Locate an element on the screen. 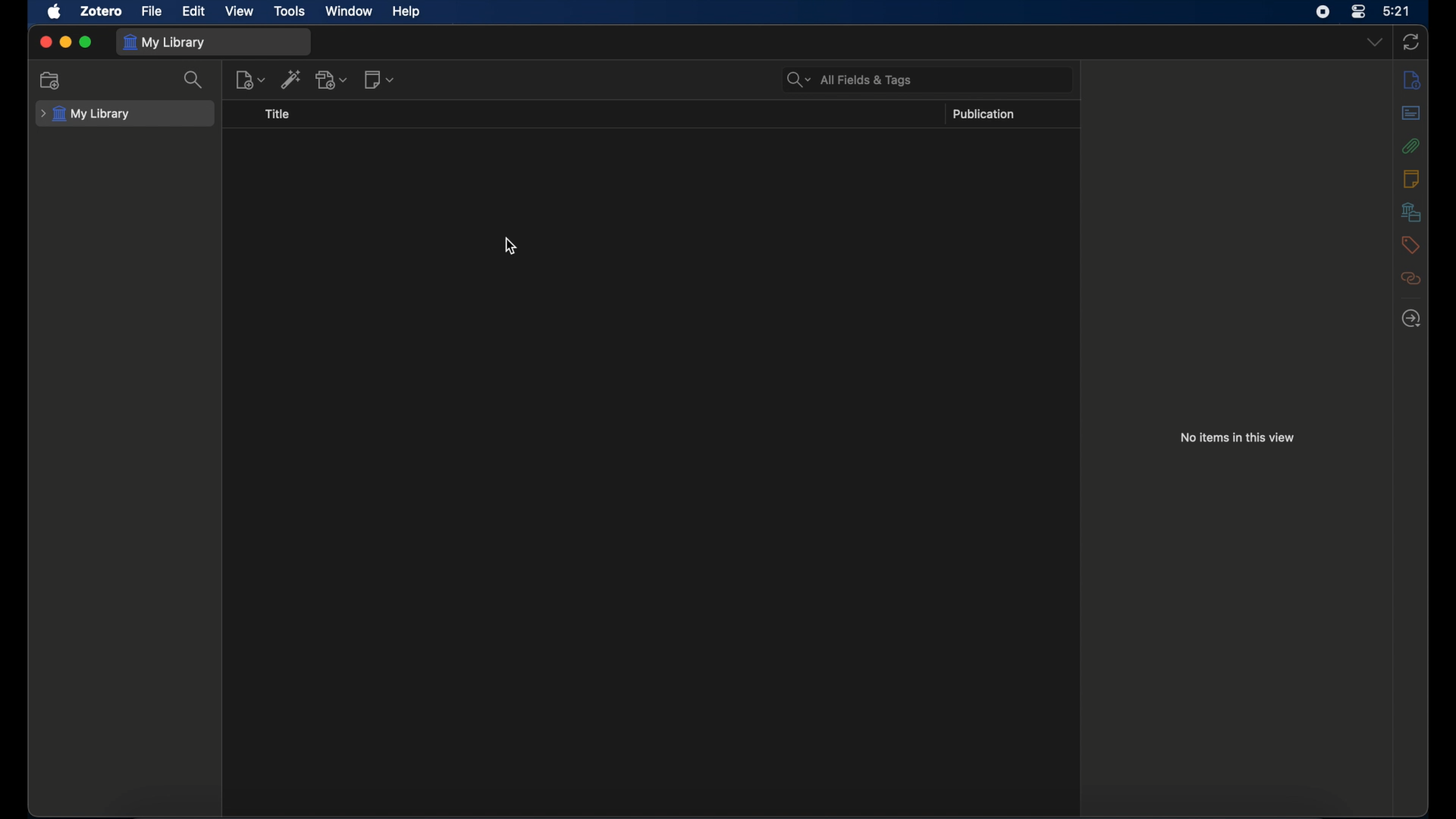 Image resolution: width=1456 pixels, height=819 pixels. publication is located at coordinates (984, 113).